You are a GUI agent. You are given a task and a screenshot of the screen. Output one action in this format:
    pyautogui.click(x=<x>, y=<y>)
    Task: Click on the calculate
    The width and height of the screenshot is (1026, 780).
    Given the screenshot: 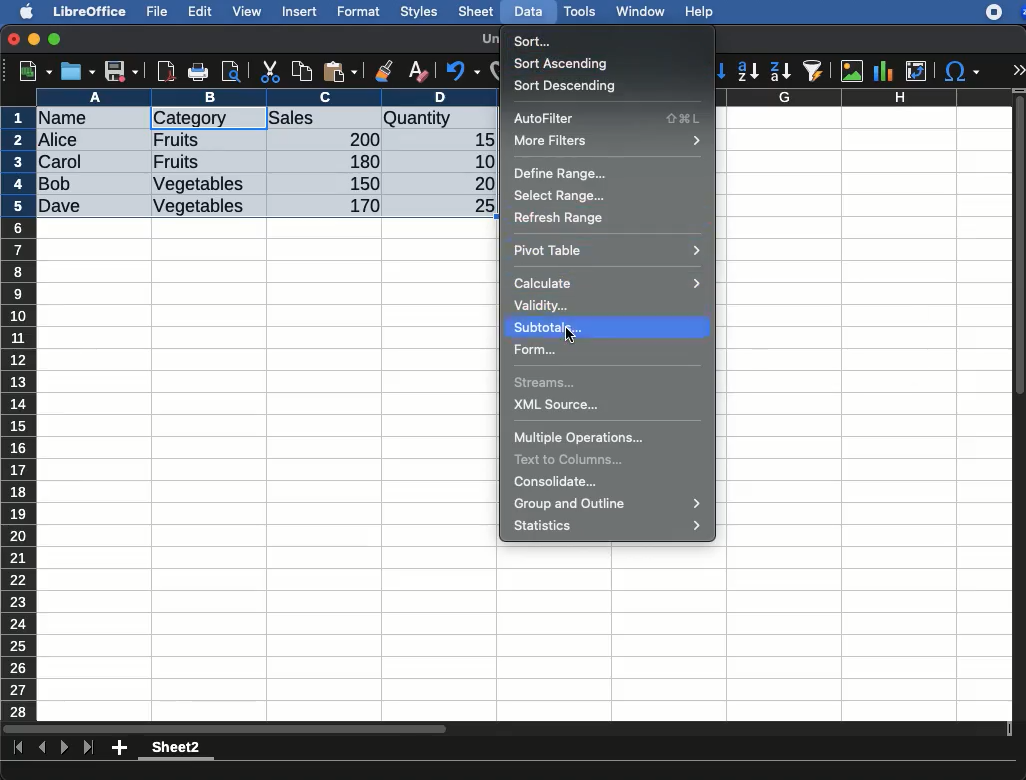 What is the action you would take?
    pyautogui.click(x=608, y=282)
    